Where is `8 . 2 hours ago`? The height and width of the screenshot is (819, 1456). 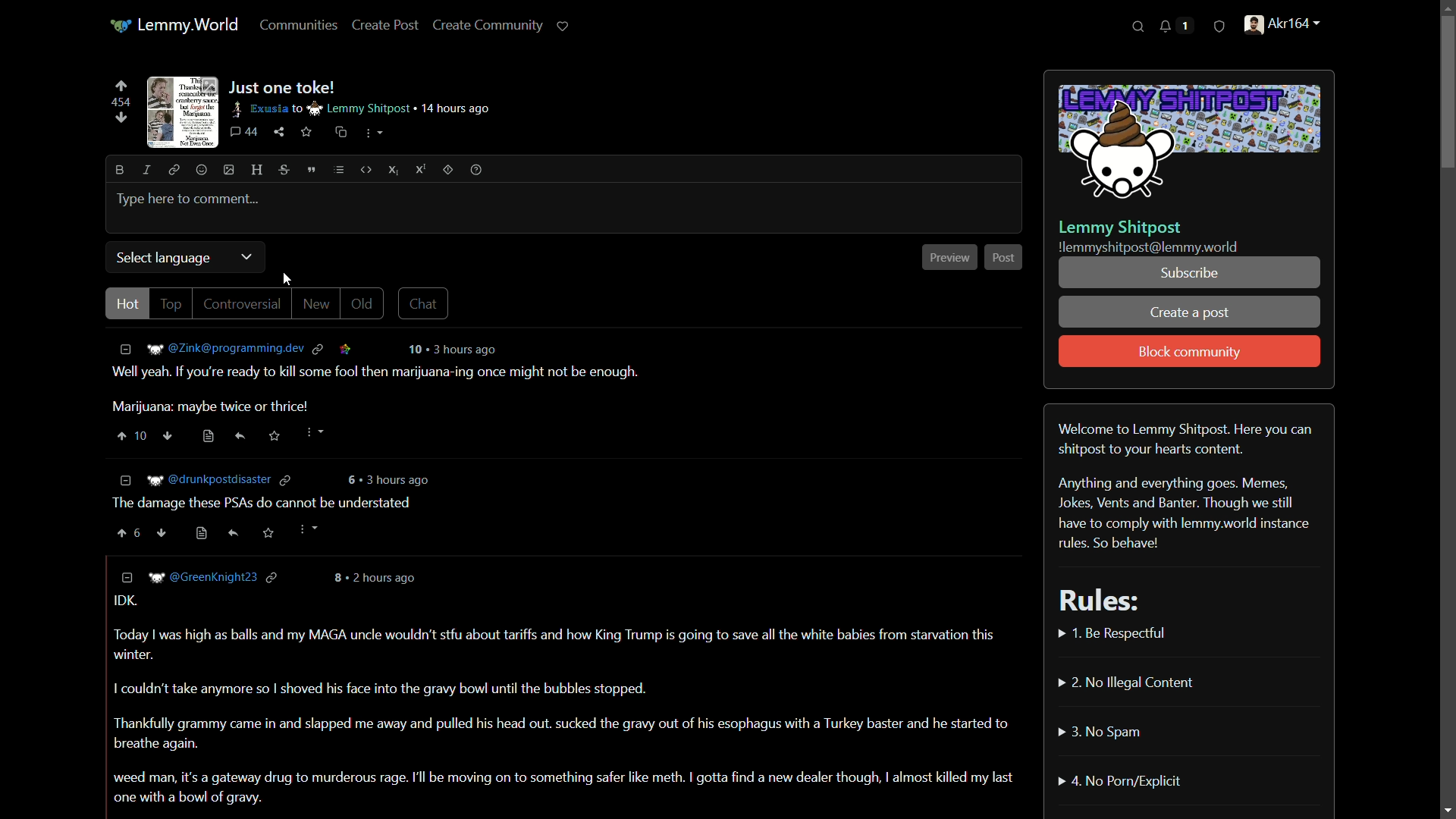 8 . 2 hours ago is located at coordinates (375, 578).